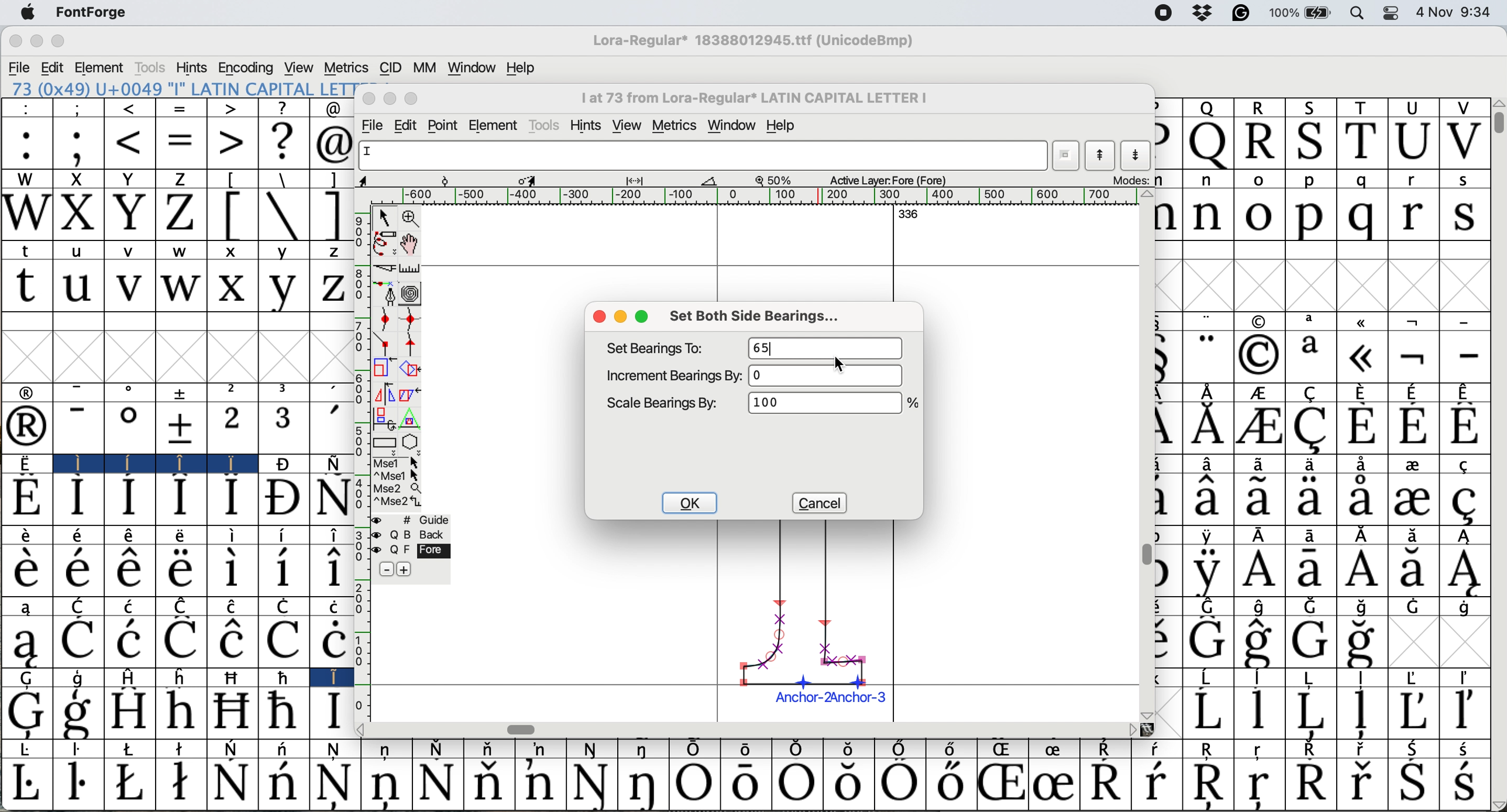 The width and height of the screenshot is (1507, 812). I want to click on Symbol, so click(330, 605).